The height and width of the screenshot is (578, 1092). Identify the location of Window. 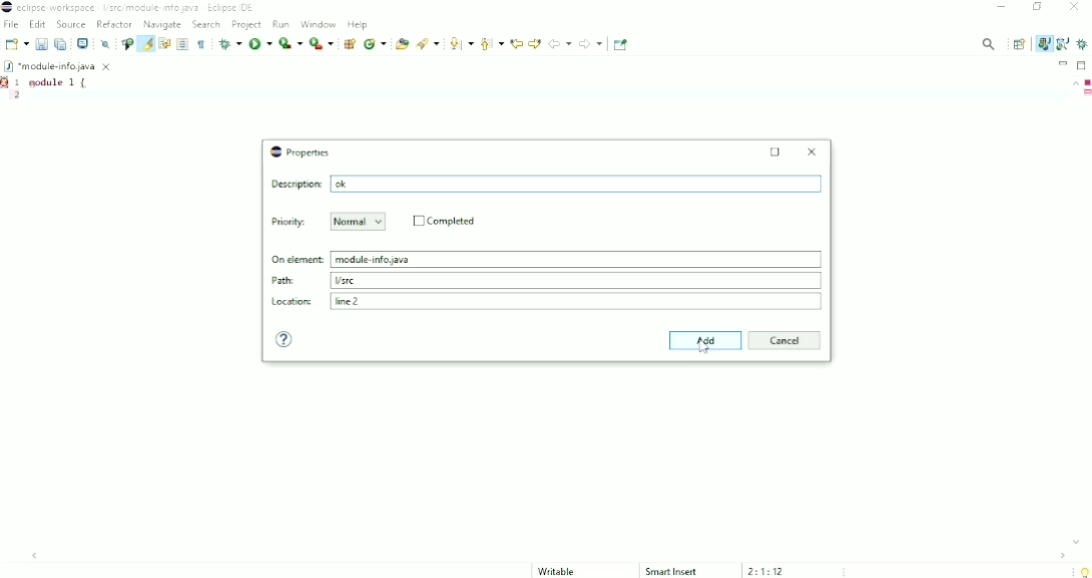
(319, 23).